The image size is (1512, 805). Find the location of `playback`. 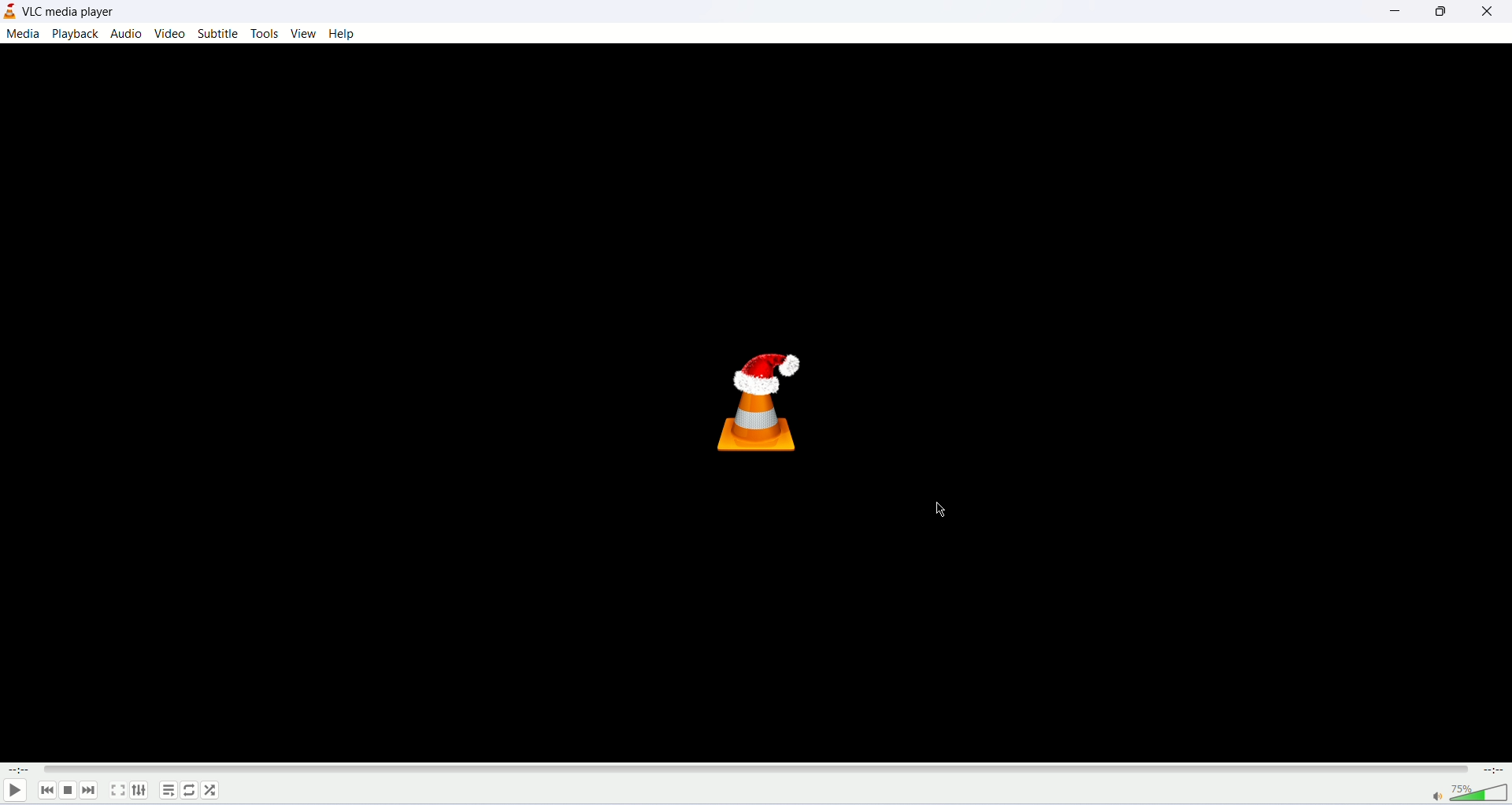

playback is located at coordinates (76, 33).